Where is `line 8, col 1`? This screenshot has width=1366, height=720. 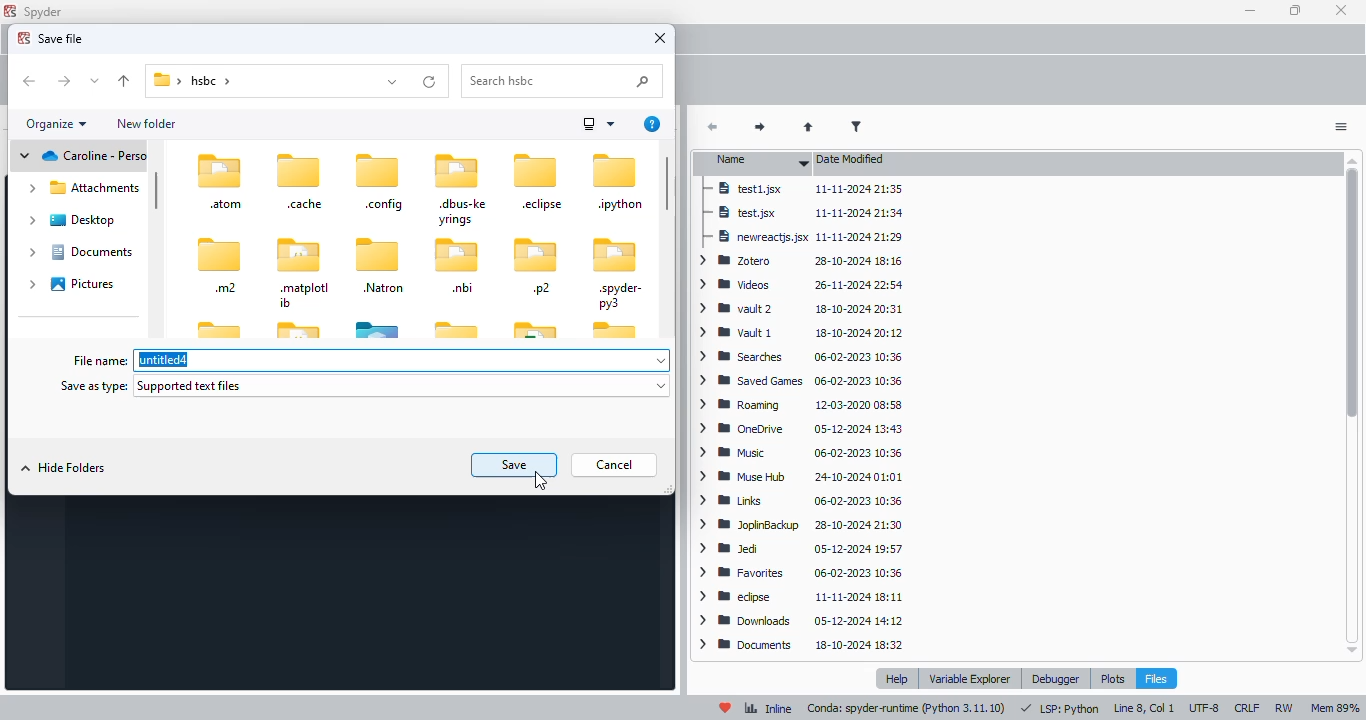
line 8, col 1 is located at coordinates (1143, 709).